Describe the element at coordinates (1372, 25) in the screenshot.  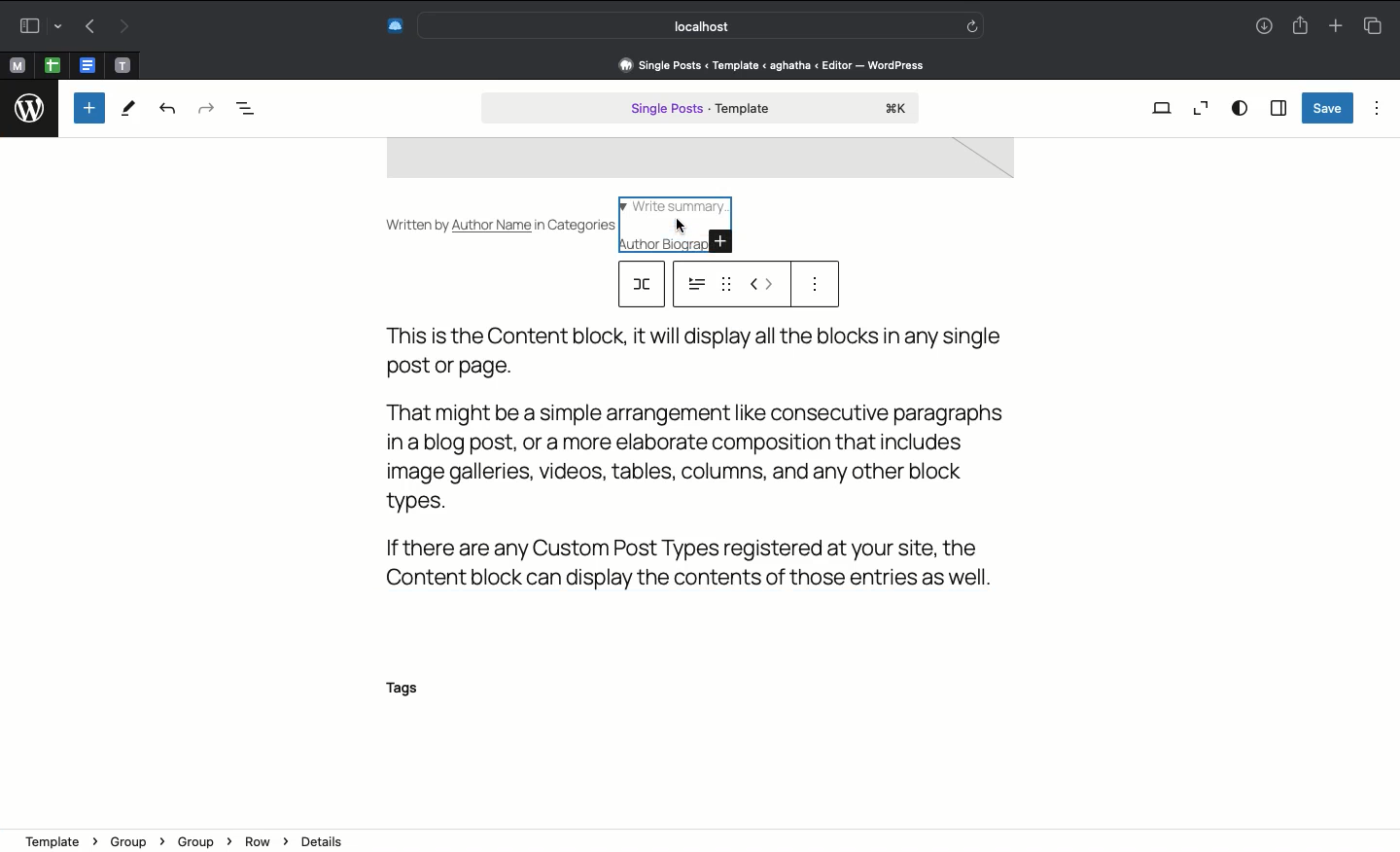
I see `Tabs` at that location.